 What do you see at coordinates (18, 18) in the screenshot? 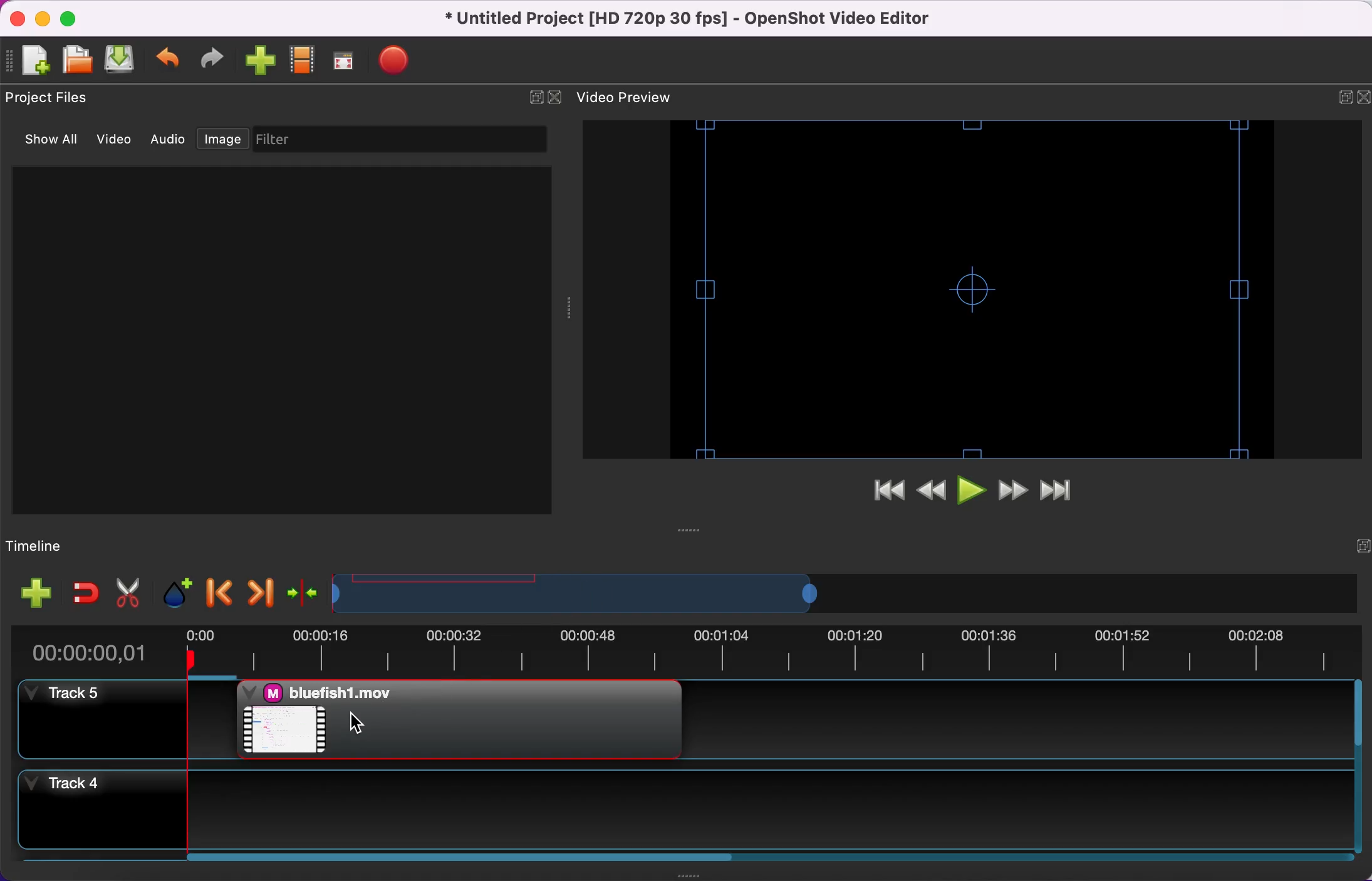
I see `close` at bounding box center [18, 18].